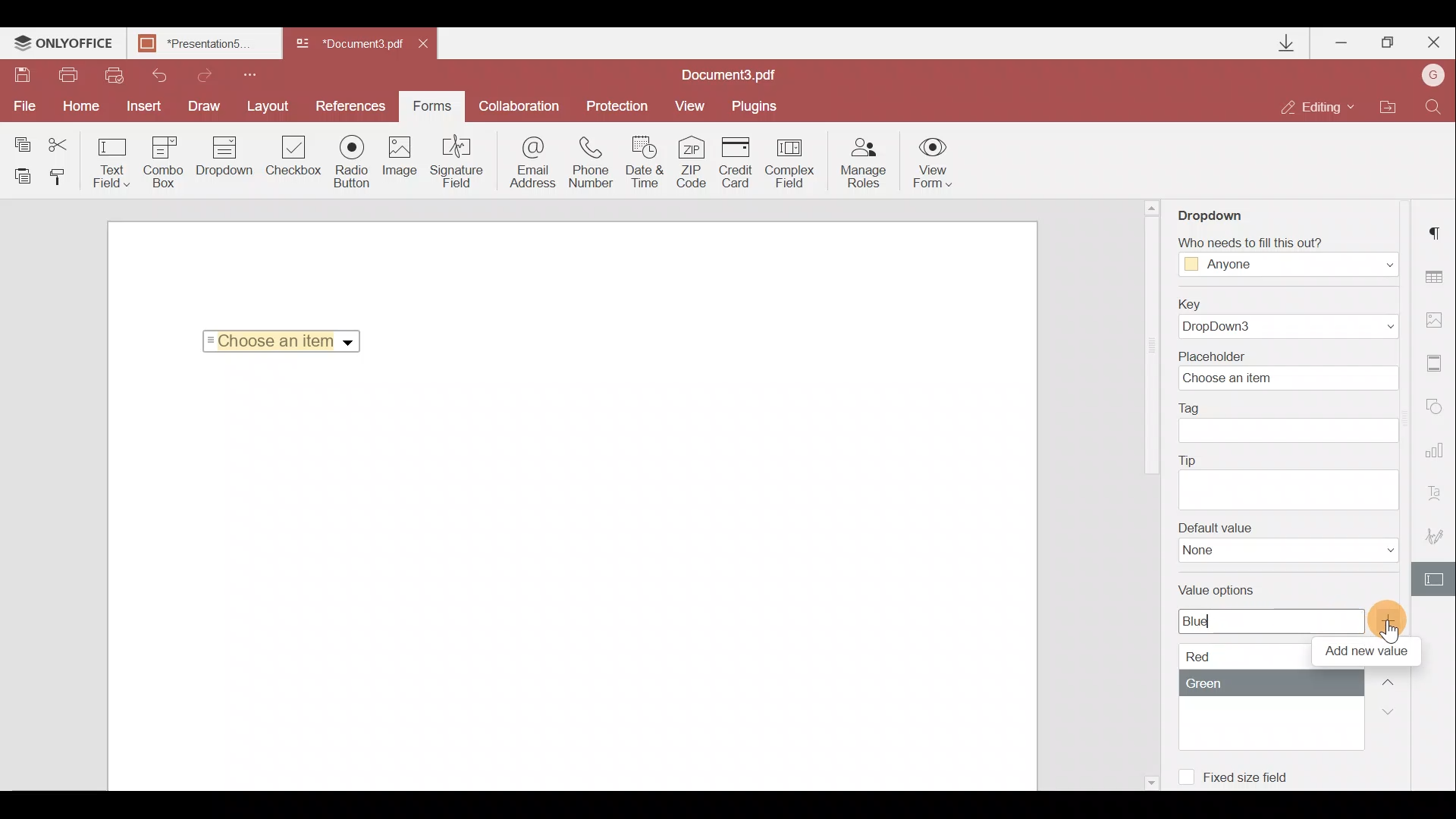  What do you see at coordinates (432, 106) in the screenshot?
I see `Forms` at bounding box center [432, 106].